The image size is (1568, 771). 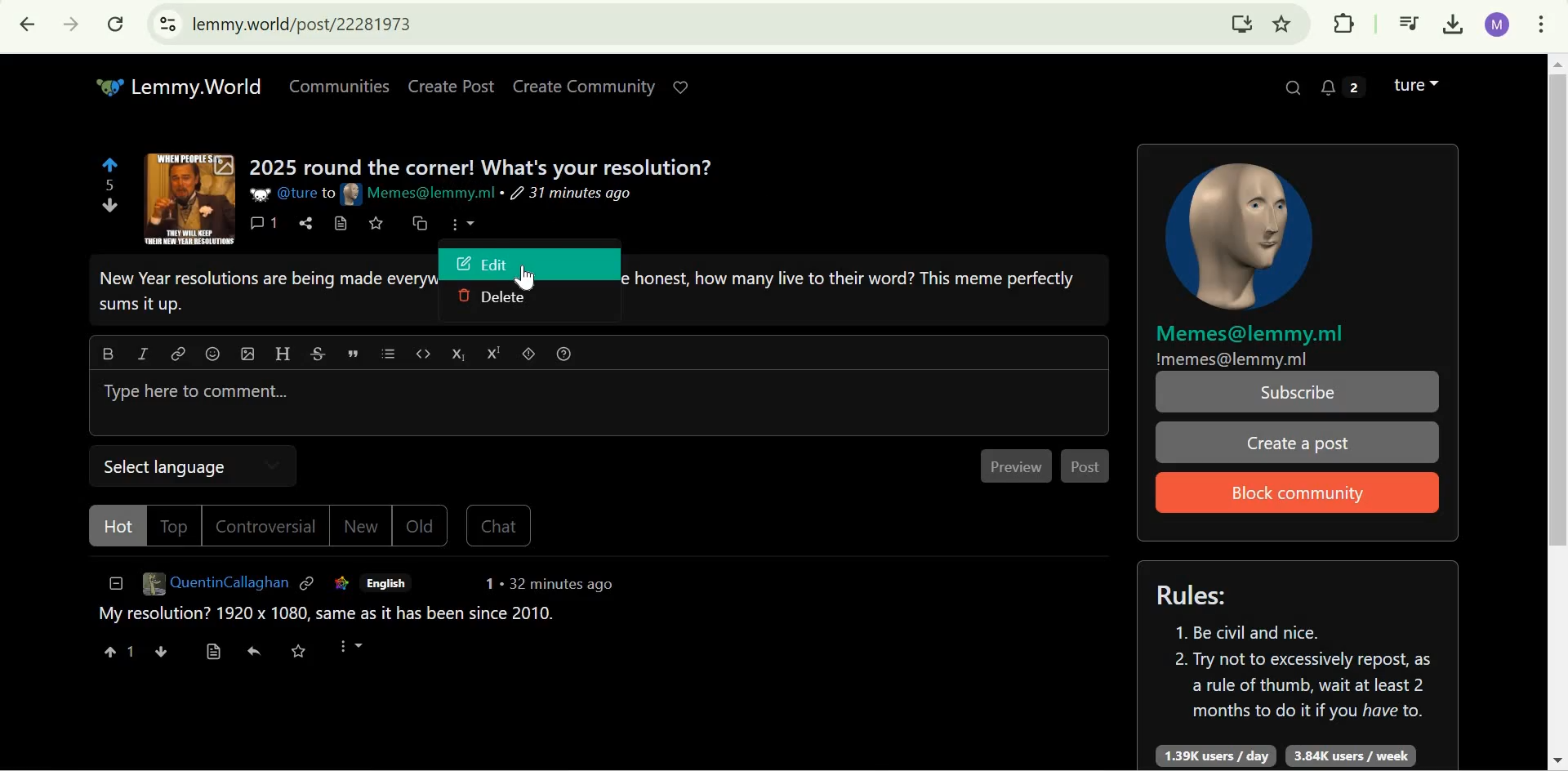 What do you see at coordinates (1455, 25) in the screenshot?
I see `Downloads` at bounding box center [1455, 25].